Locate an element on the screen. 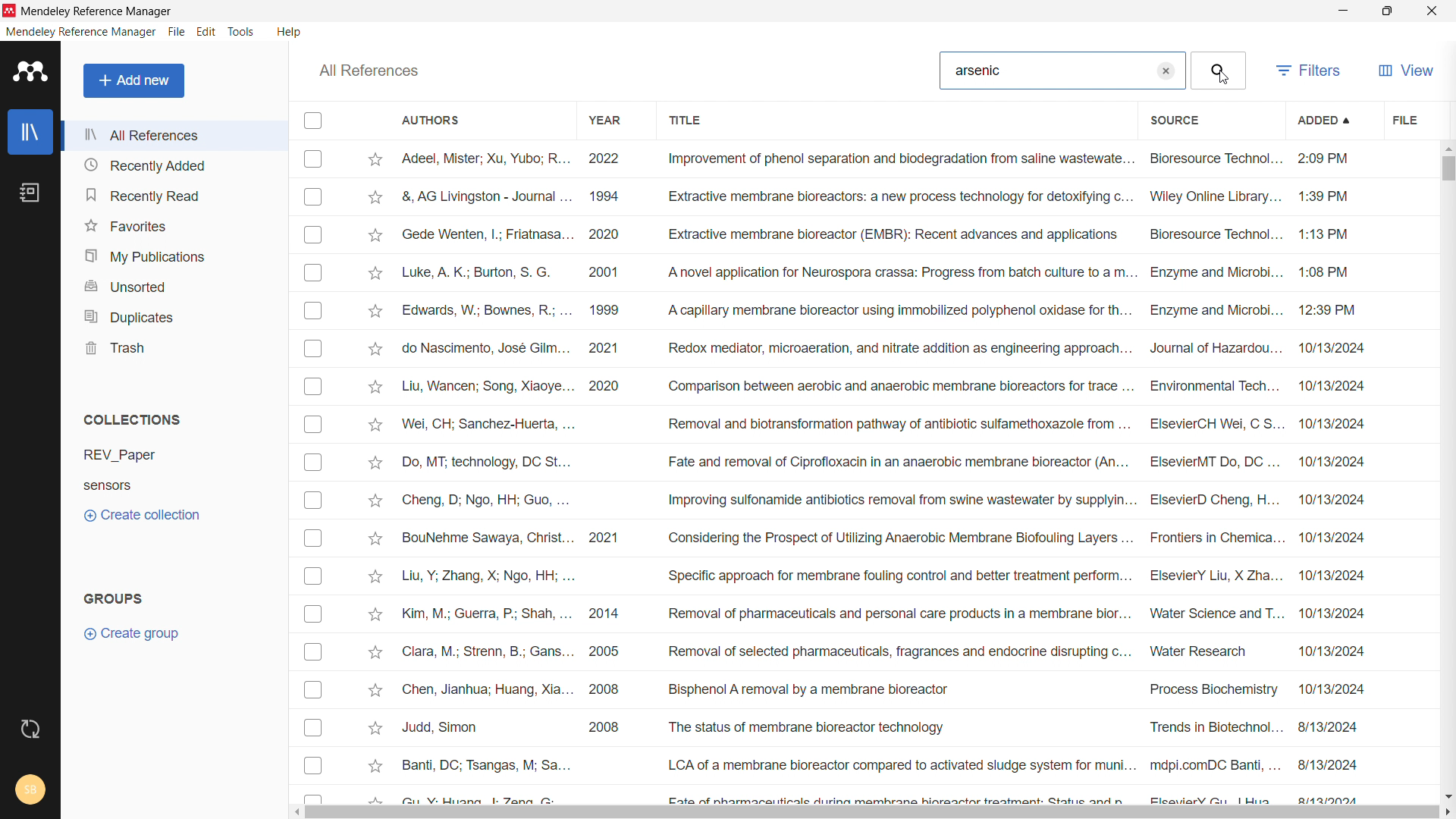 This screenshot has width=1456, height=819. horizontal scrollbar is located at coordinates (864, 813).